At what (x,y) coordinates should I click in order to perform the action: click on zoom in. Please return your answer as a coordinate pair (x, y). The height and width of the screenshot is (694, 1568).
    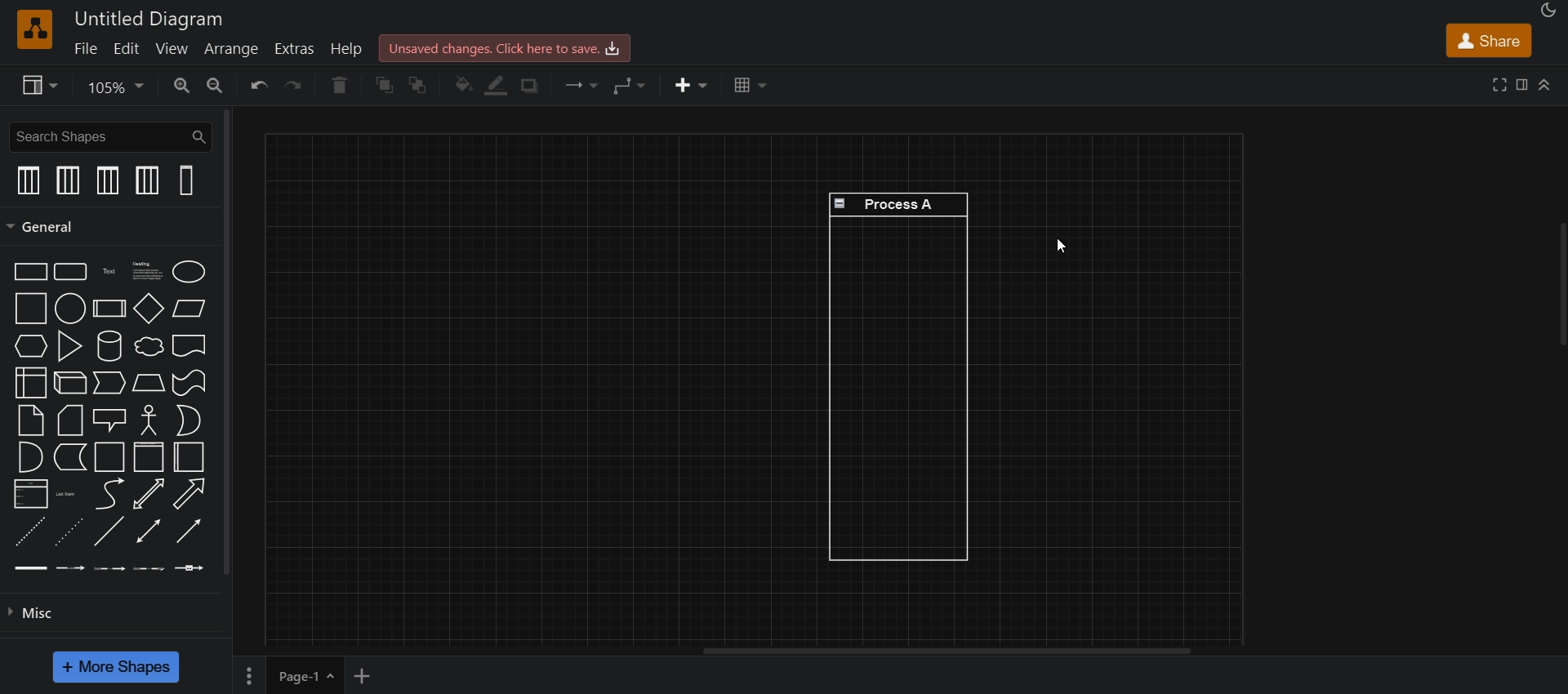
    Looking at the image, I should click on (182, 87).